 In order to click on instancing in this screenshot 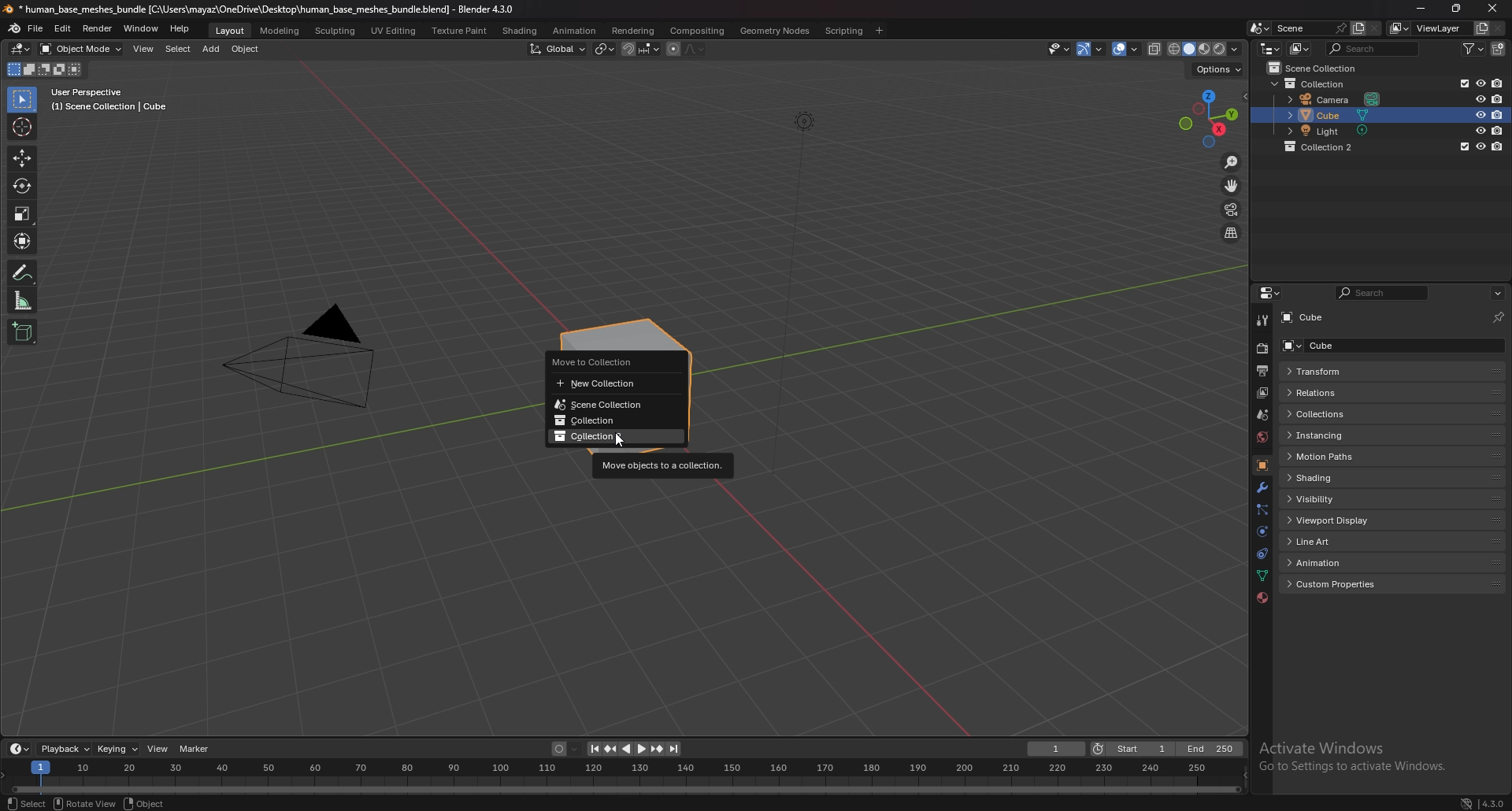, I will do `click(1338, 435)`.